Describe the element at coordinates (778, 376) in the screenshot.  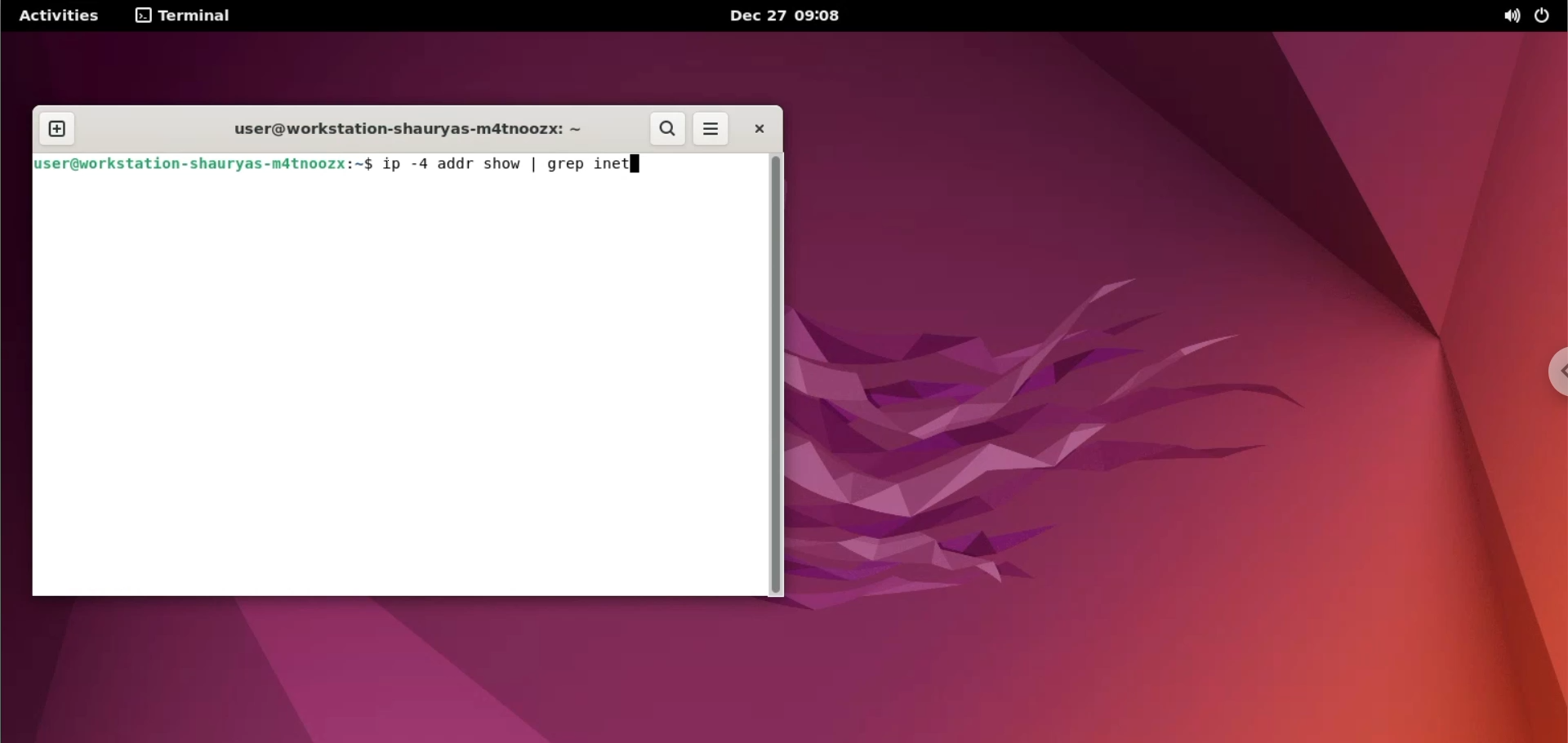
I see `scrollbar` at that location.